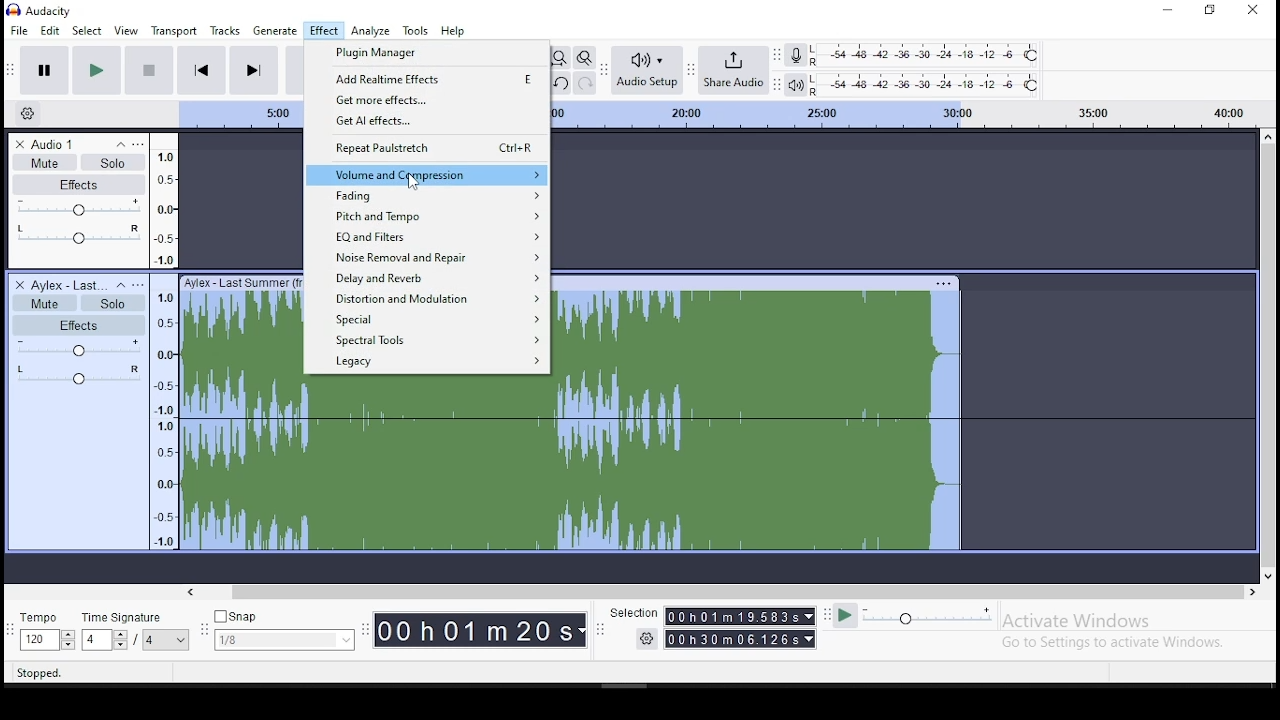  Describe the element at coordinates (69, 284) in the screenshot. I see `audio track name` at that location.